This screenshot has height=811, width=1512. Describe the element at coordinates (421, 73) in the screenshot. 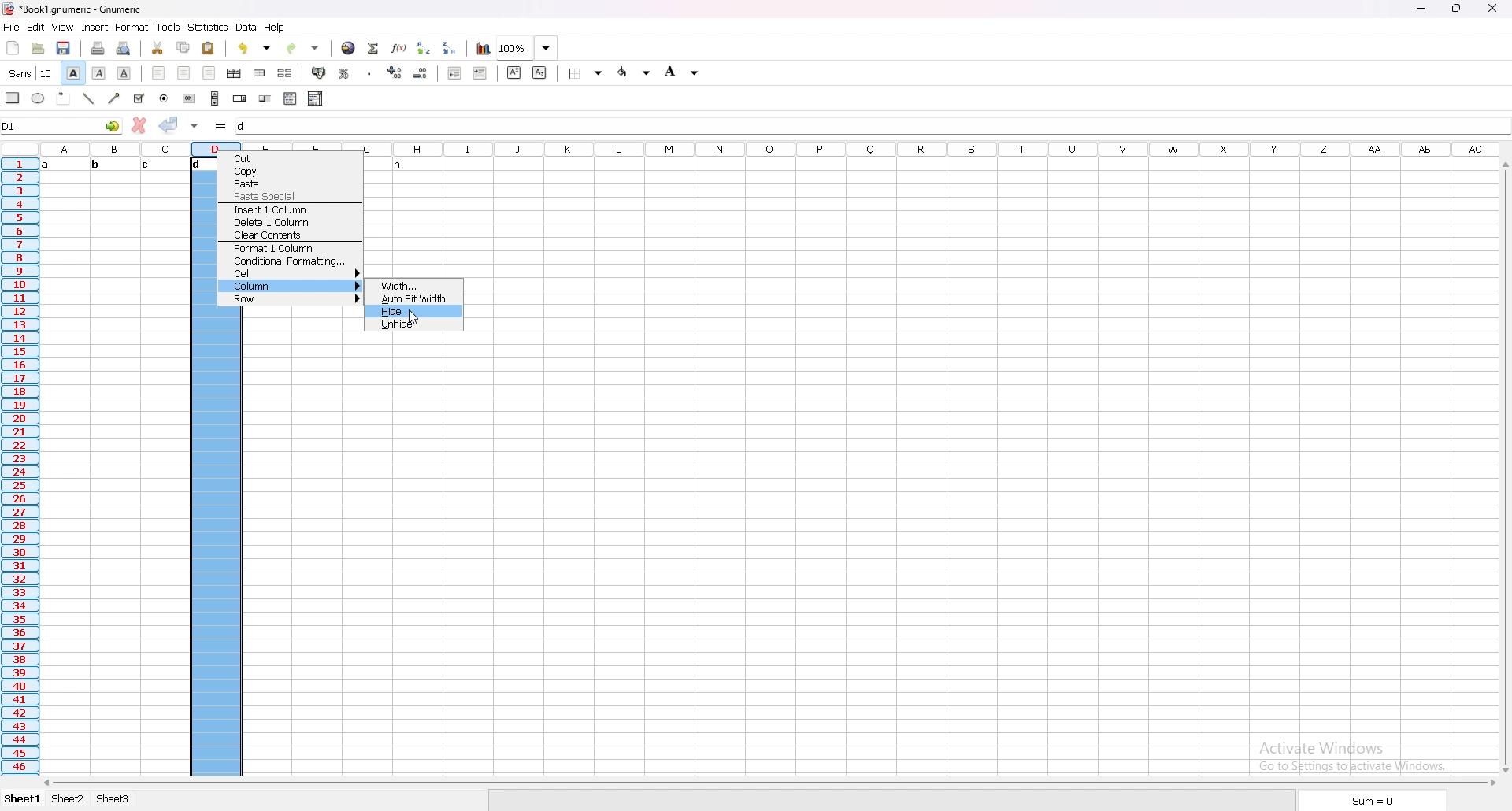

I see `decrease decimal` at that location.